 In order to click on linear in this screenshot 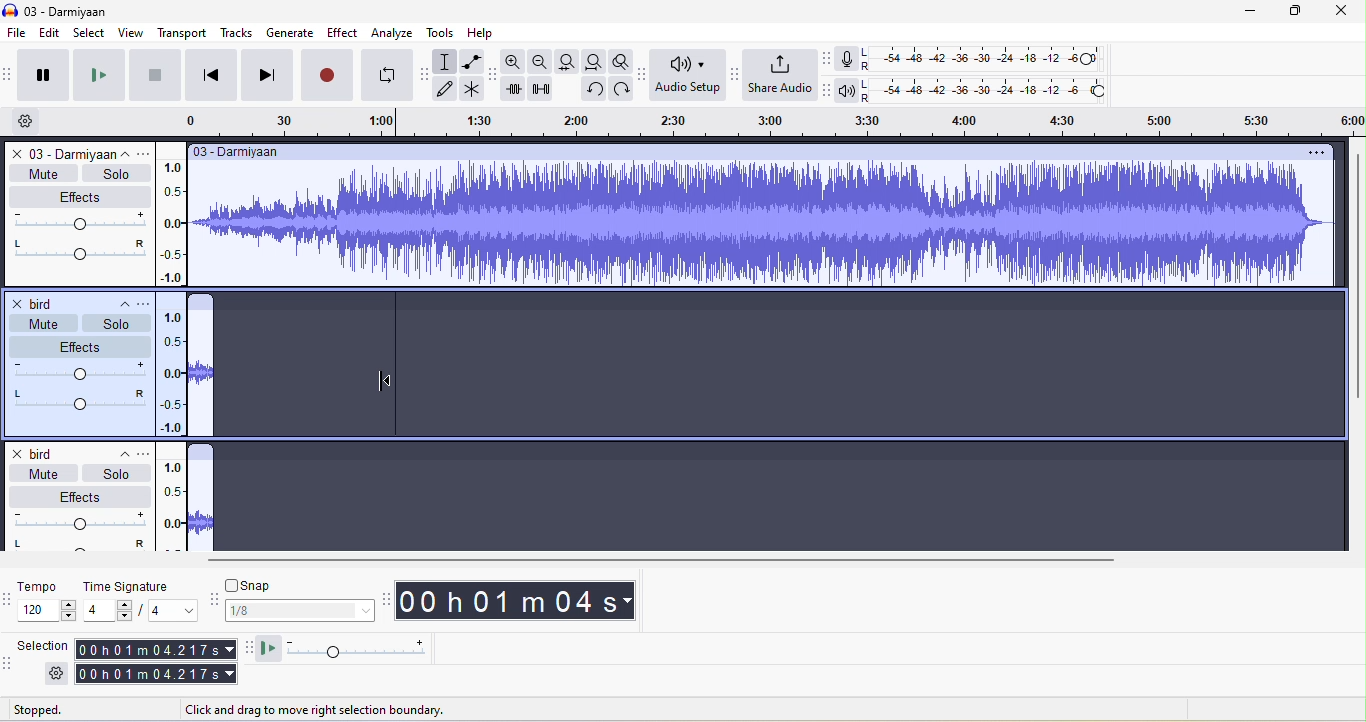, I will do `click(173, 506)`.